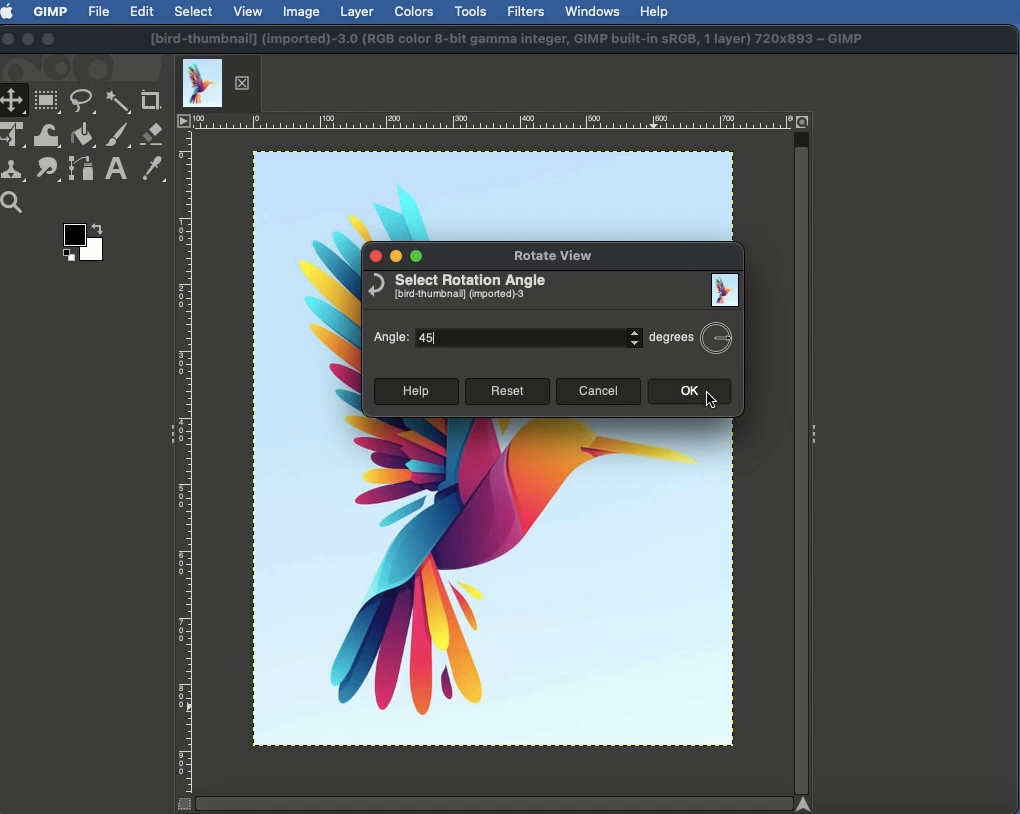 The width and height of the screenshot is (1020, 814). I want to click on Rectangular selector, so click(47, 102).